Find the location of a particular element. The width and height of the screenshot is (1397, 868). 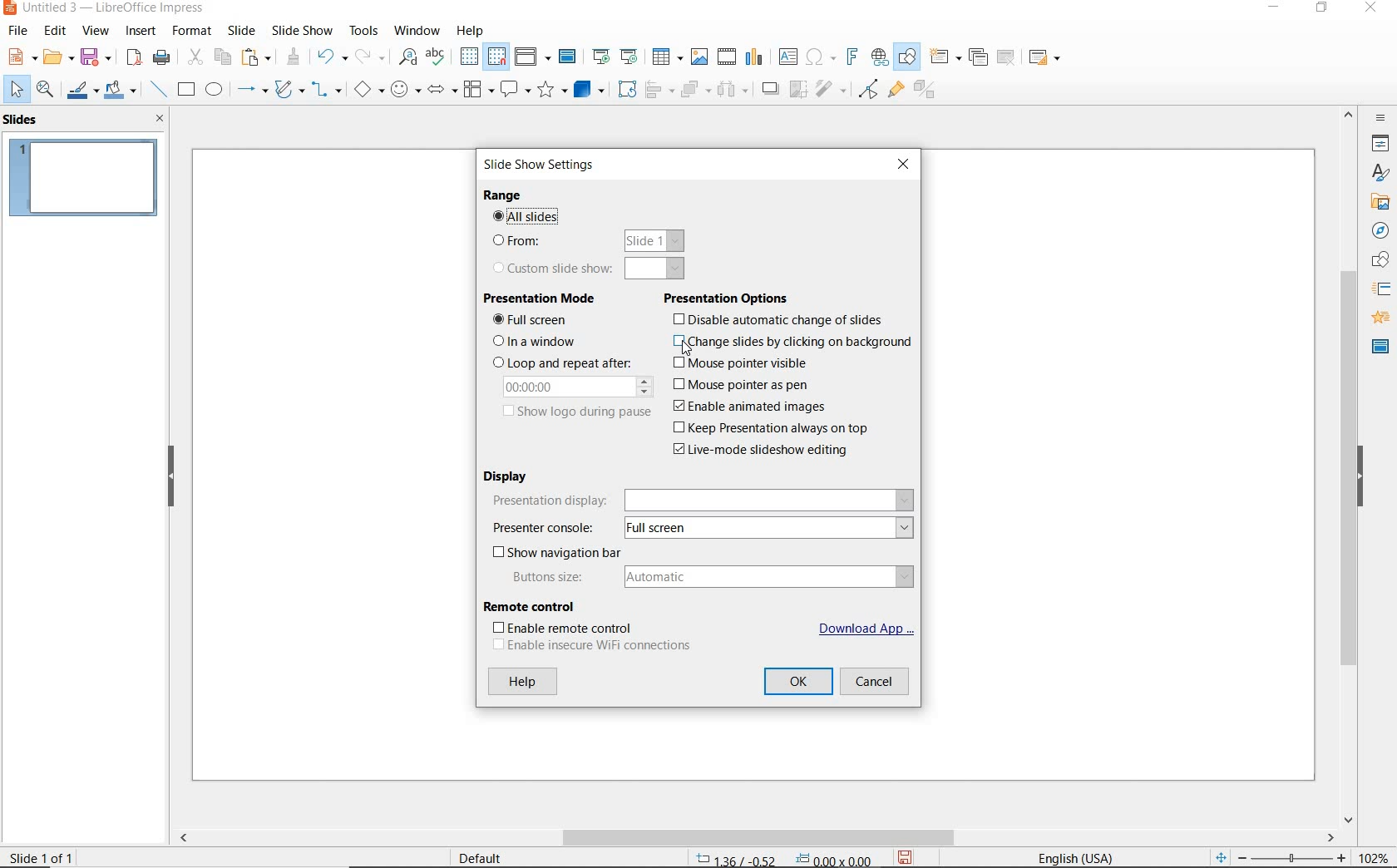

ENABLE REMOTE CONTROL is located at coordinates (562, 629).